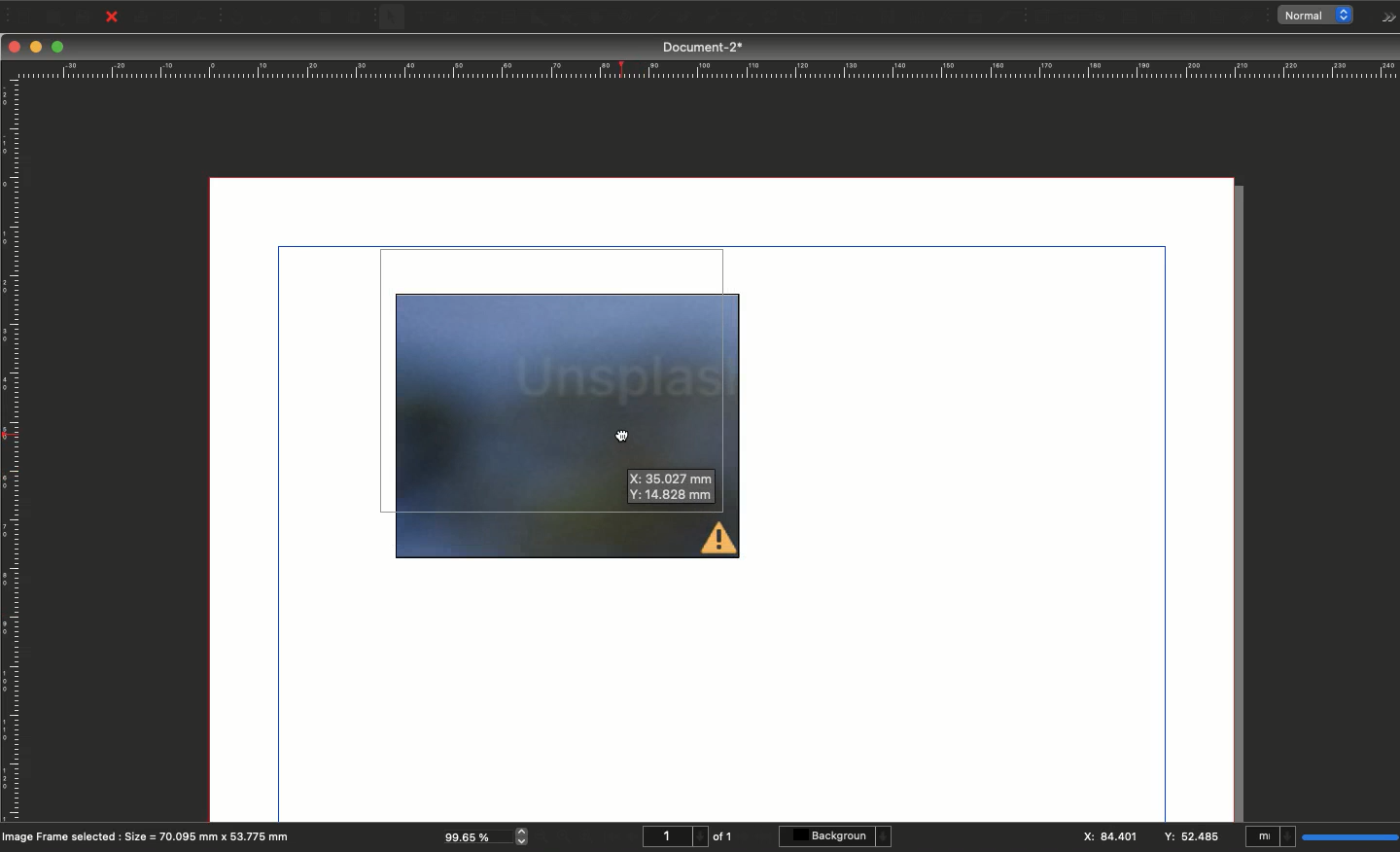 The height and width of the screenshot is (852, 1400). I want to click on Undo, so click(237, 18).